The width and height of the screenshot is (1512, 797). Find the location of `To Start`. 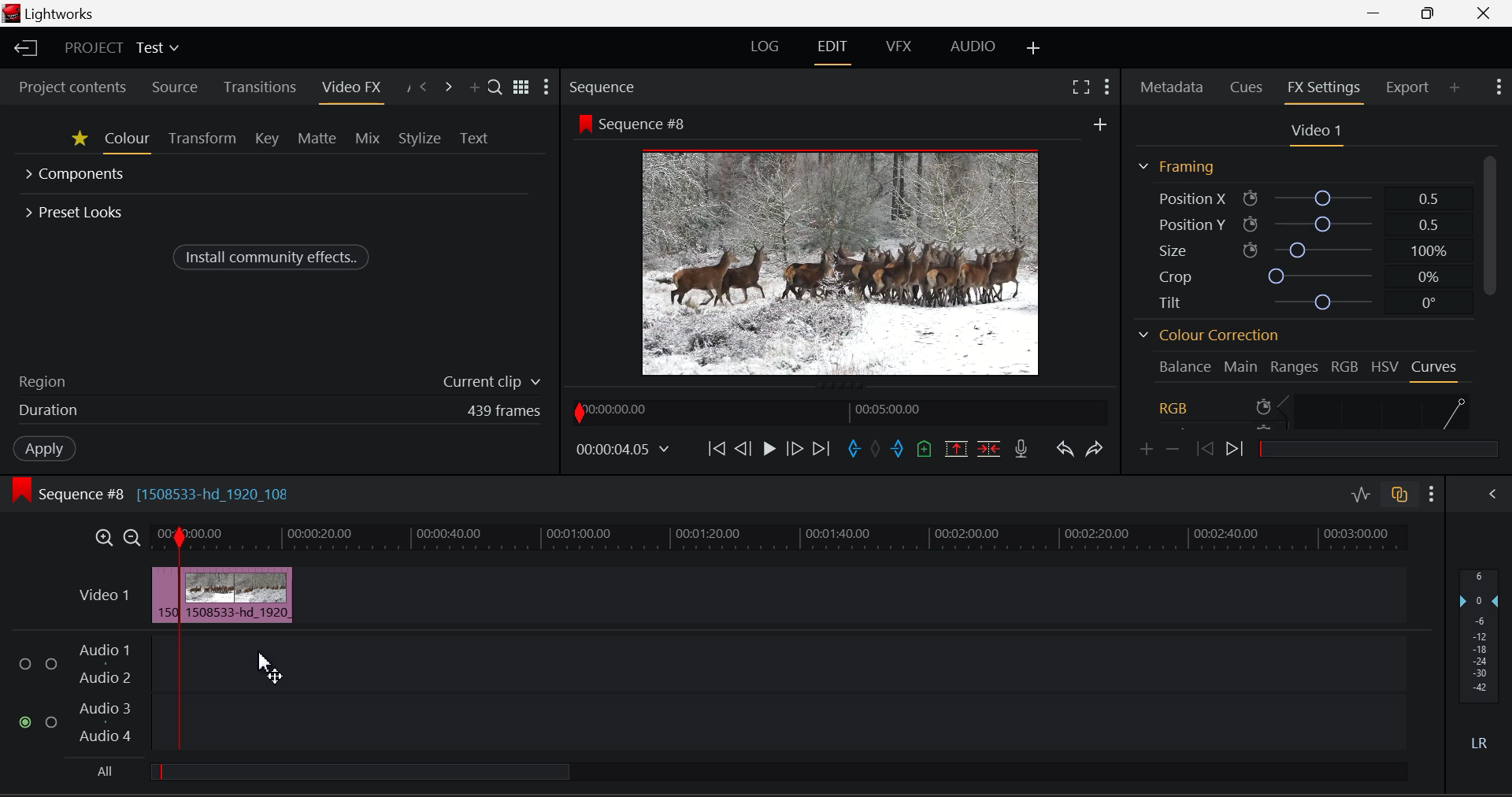

To Start is located at coordinates (718, 450).